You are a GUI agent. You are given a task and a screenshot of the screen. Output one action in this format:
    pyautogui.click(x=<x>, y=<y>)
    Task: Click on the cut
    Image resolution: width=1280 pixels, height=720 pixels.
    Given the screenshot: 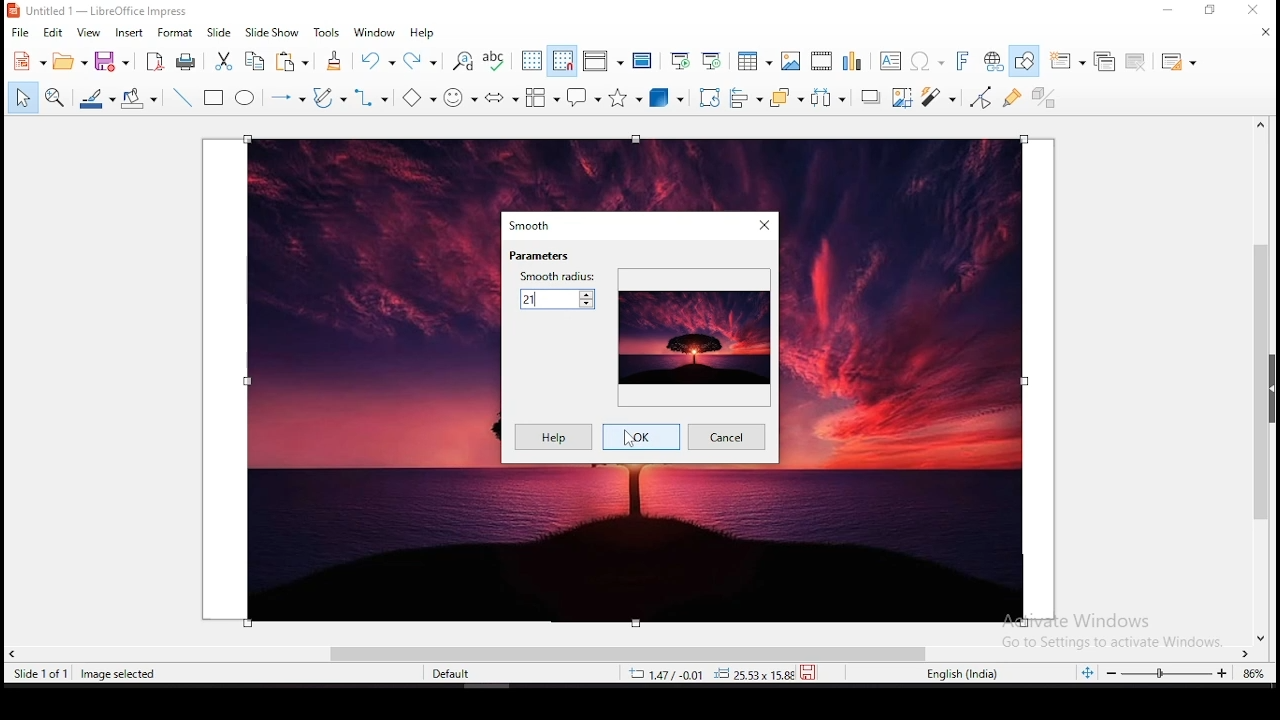 What is the action you would take?
    pyautogui.click(x=224, y=61)
    